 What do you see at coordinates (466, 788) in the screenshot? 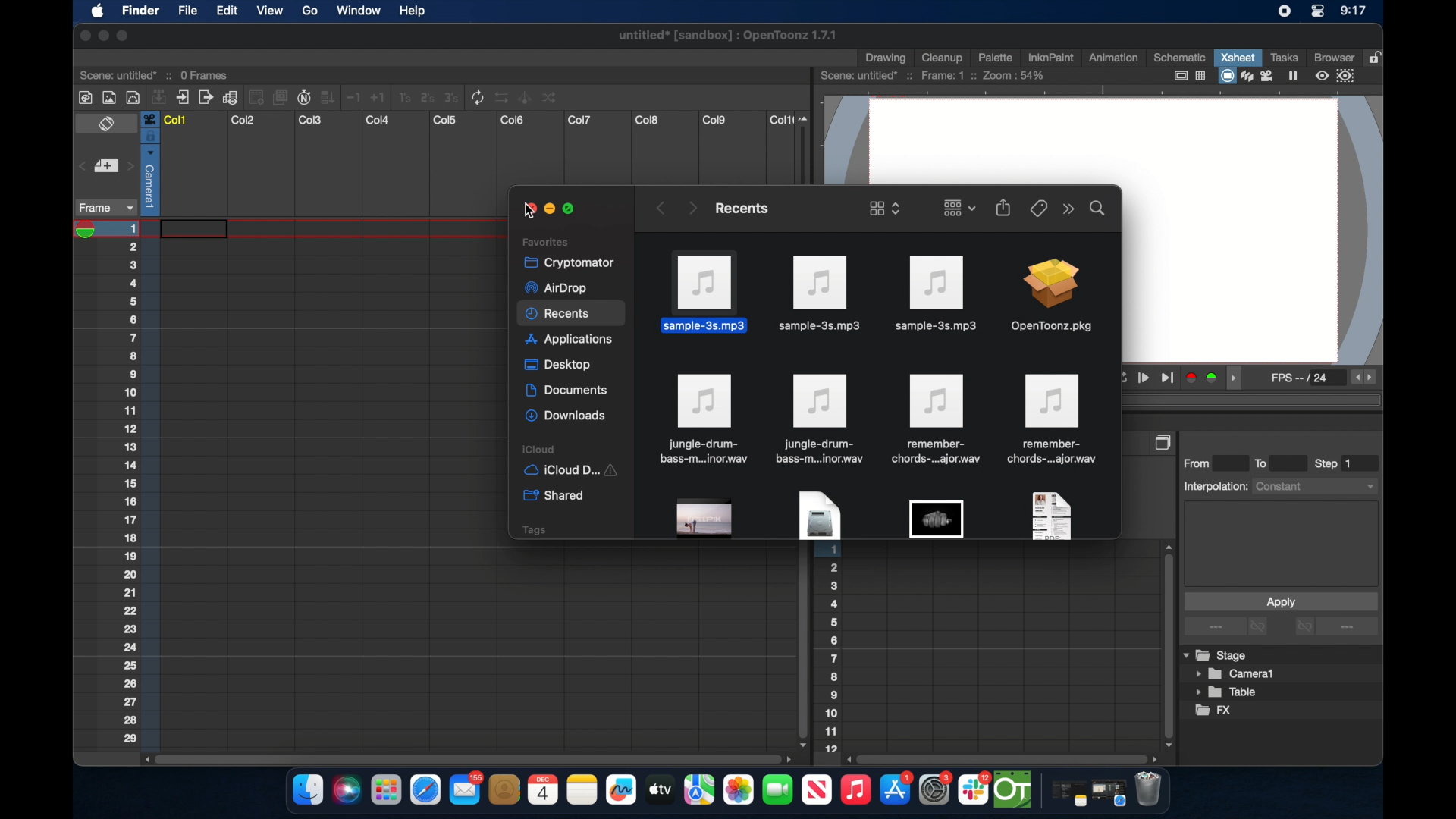
I see `mail` at bounding box center [466, 788].